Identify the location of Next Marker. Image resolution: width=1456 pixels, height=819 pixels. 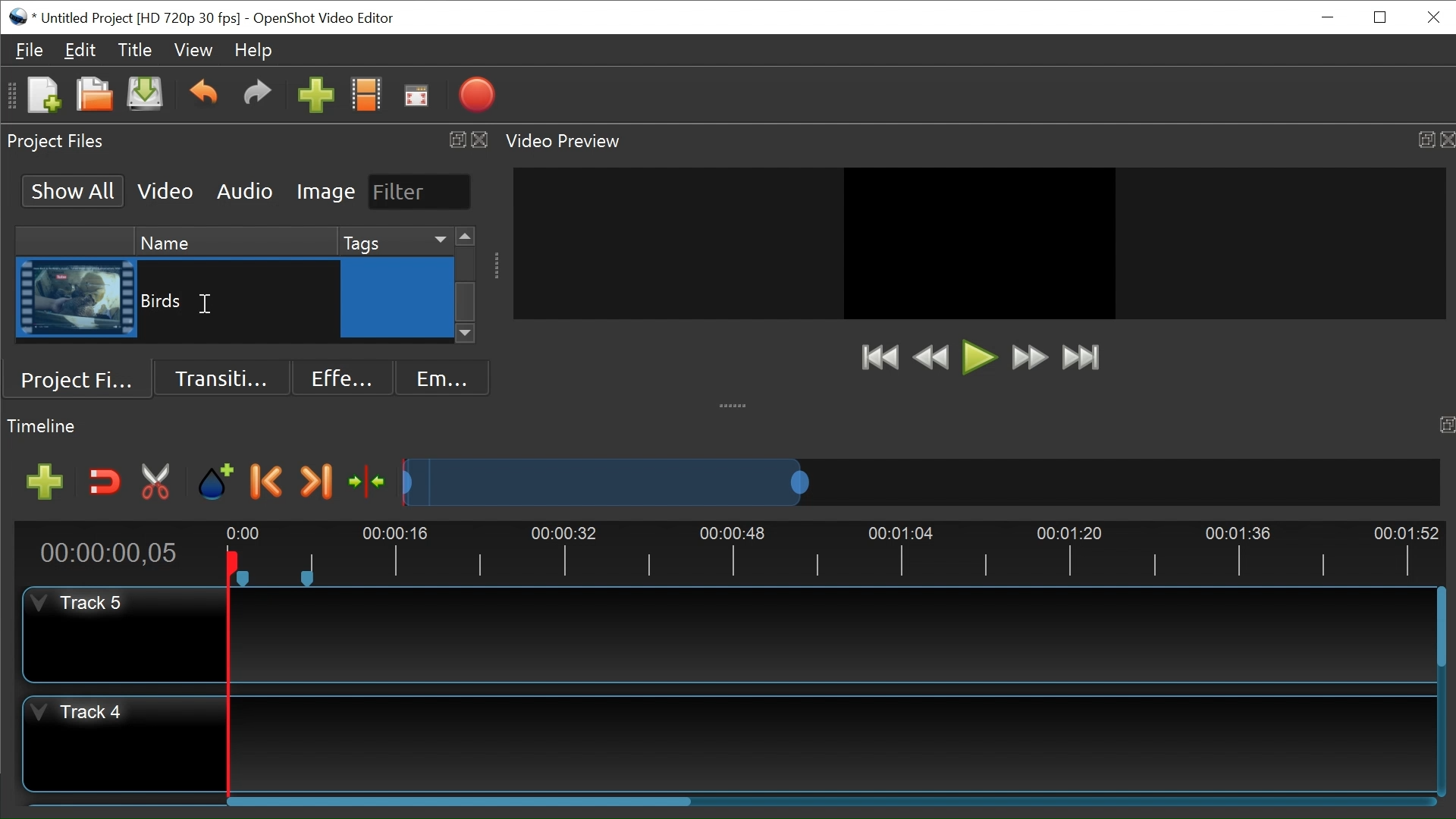
(316, 482).